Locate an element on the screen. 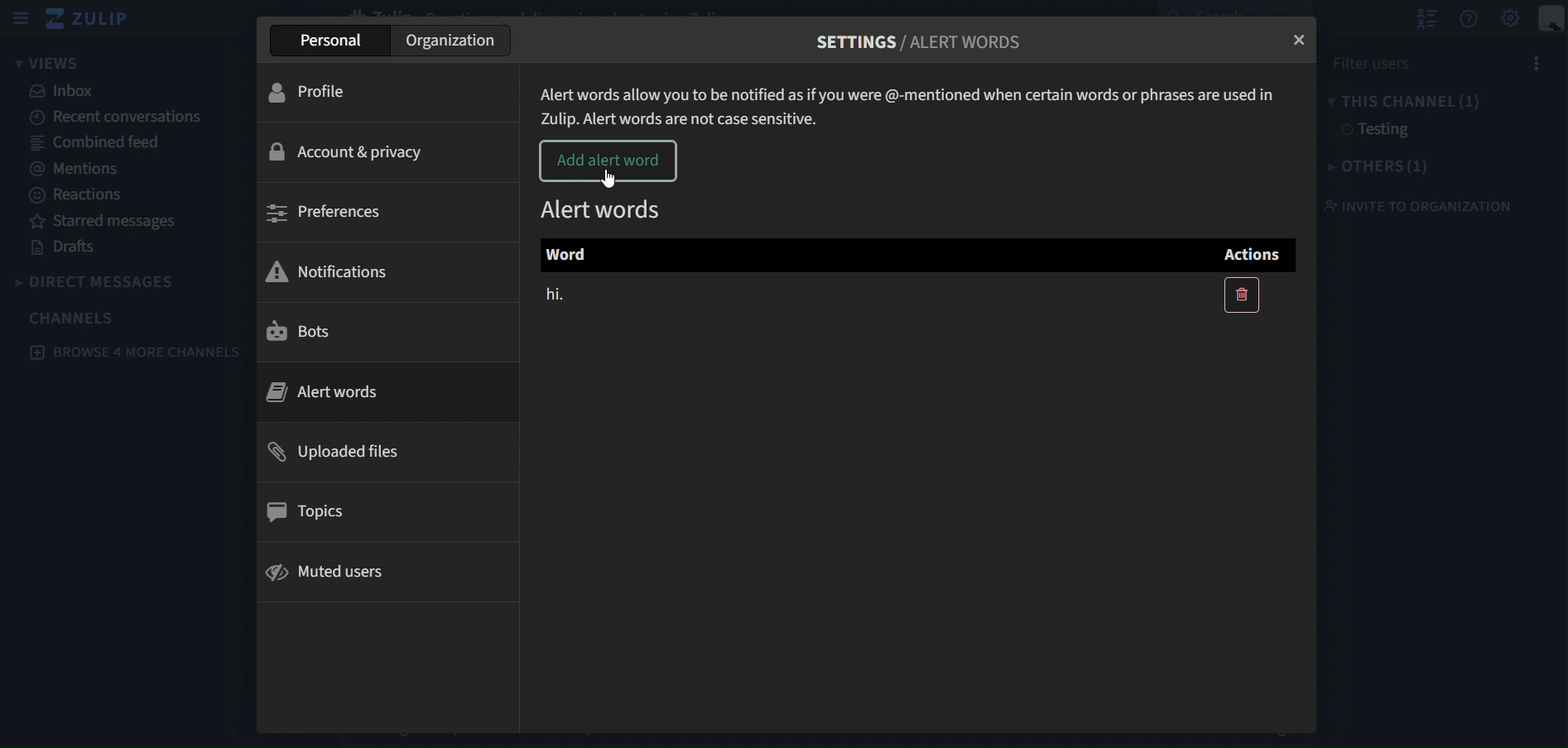 The height and width of the screenshot is (748, 1568). testing is located at coordinates (1375, 132).